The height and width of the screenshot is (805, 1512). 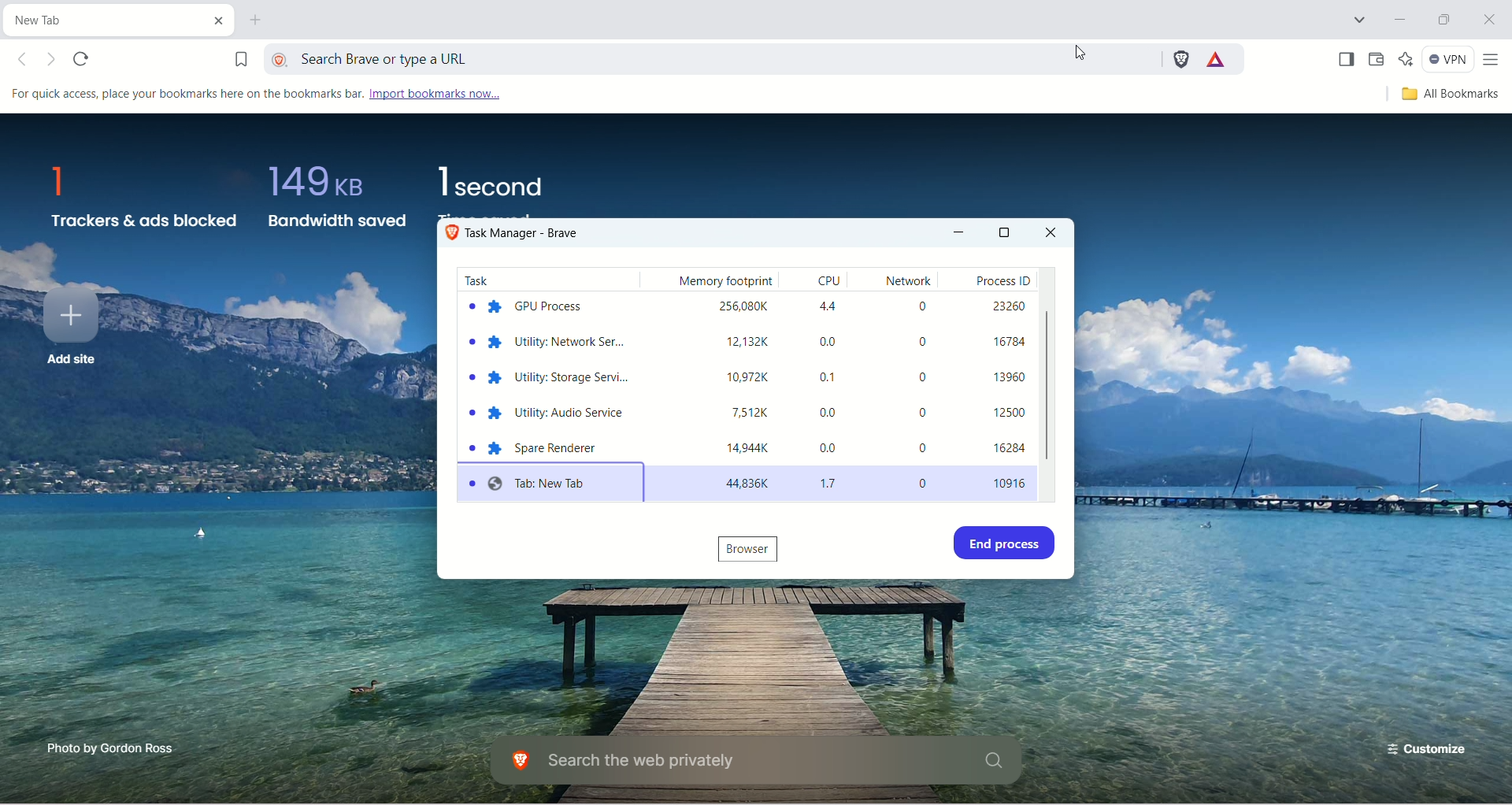 What do you see at coordinates (960, 235) in the screenshot?
I see `minimize` at bounding box center [960, 235].